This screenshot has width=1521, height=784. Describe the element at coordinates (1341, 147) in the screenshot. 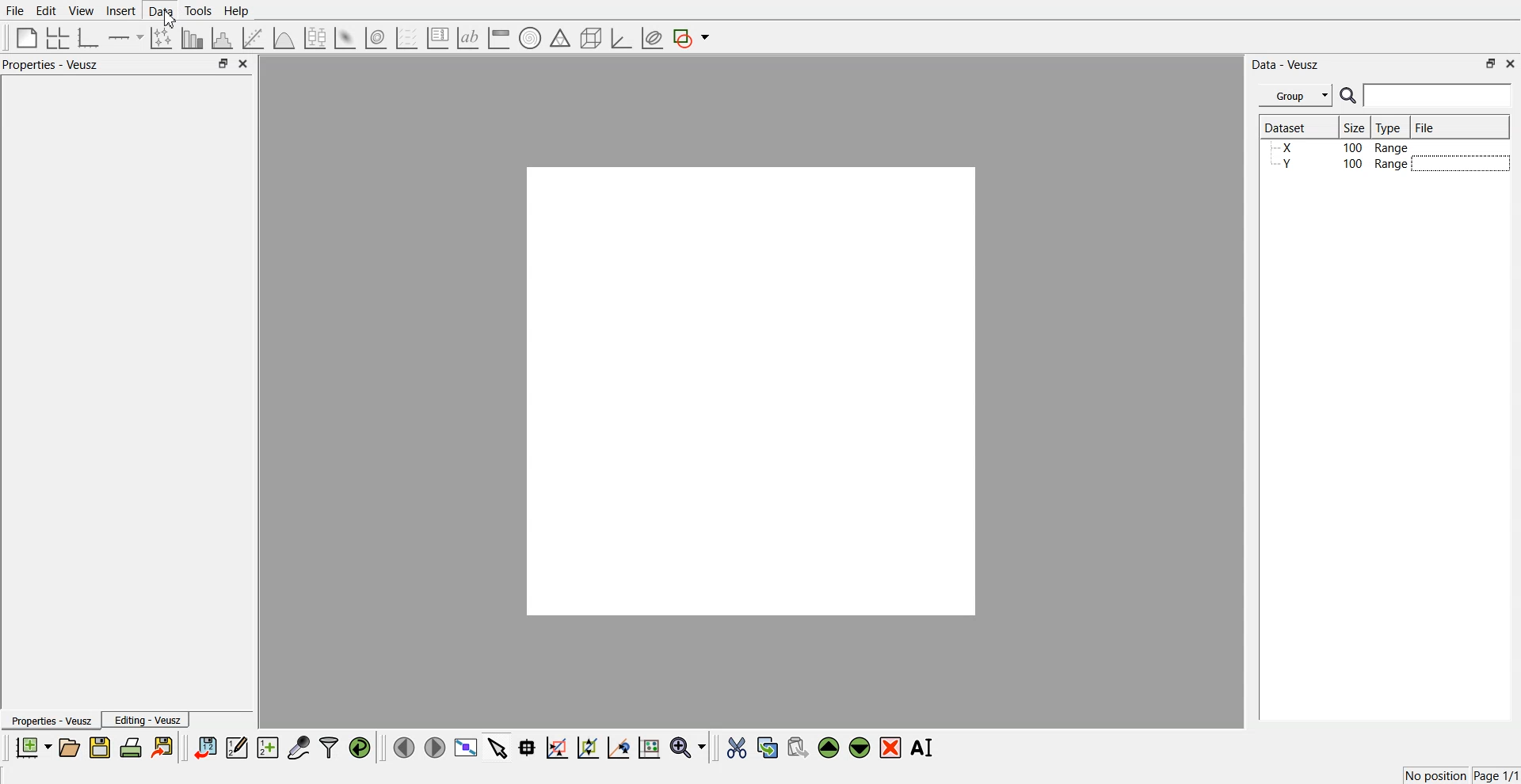

I see `X 100 Range` at that location.